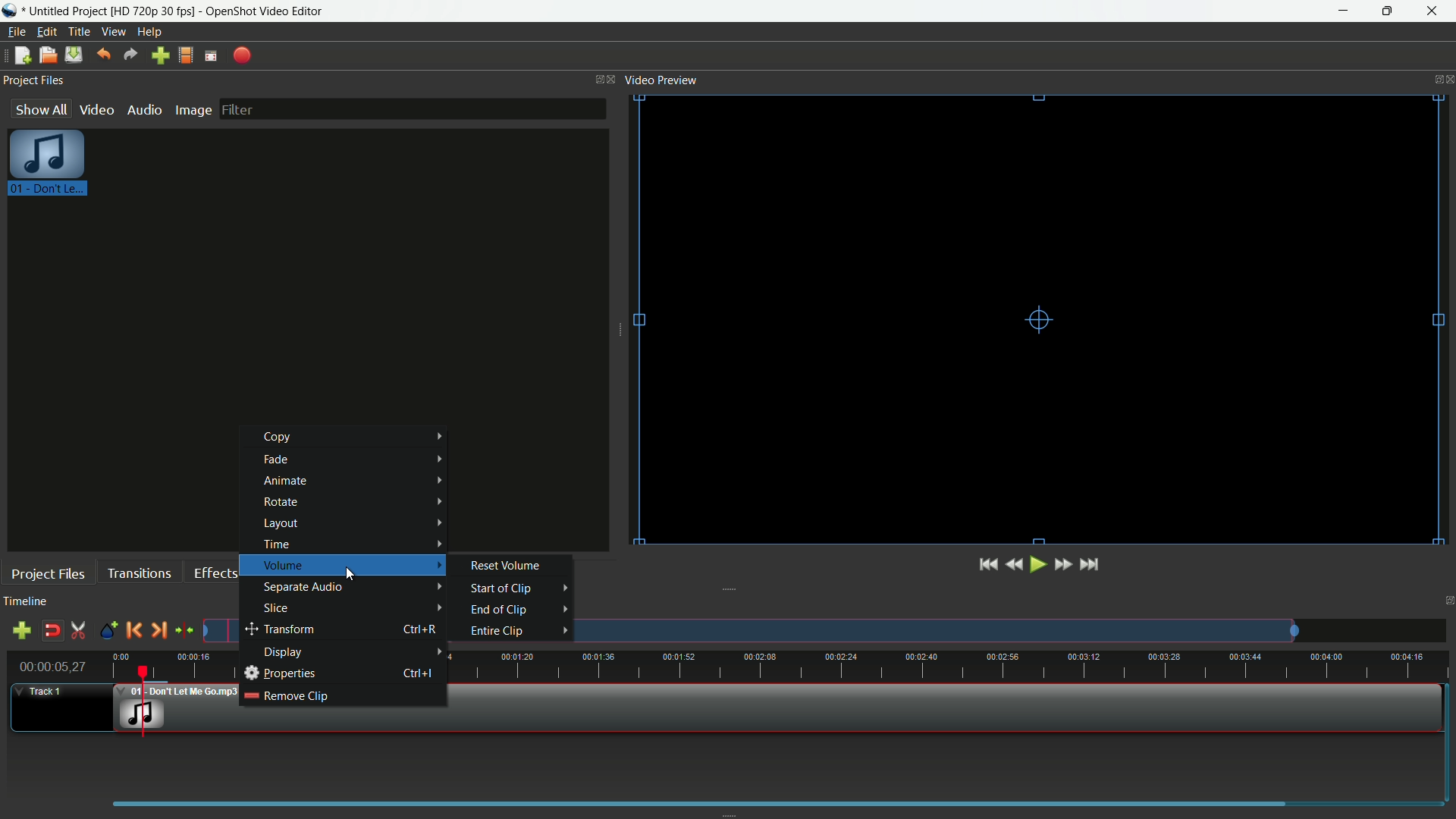 The width and height of the screenshot is (1456, 819). I want to click on enable razor, so click(80, 631).